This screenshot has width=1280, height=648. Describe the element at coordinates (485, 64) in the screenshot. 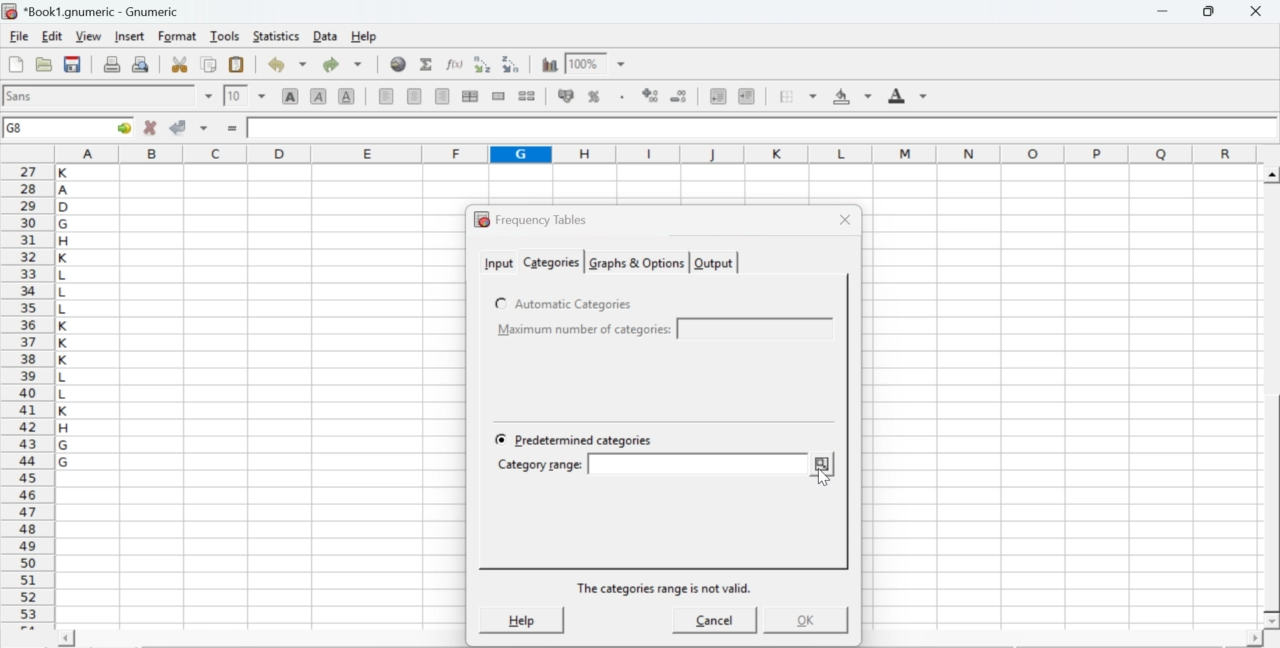

I see `Sort the selected region in ascending order based on the first column selected` at that location.